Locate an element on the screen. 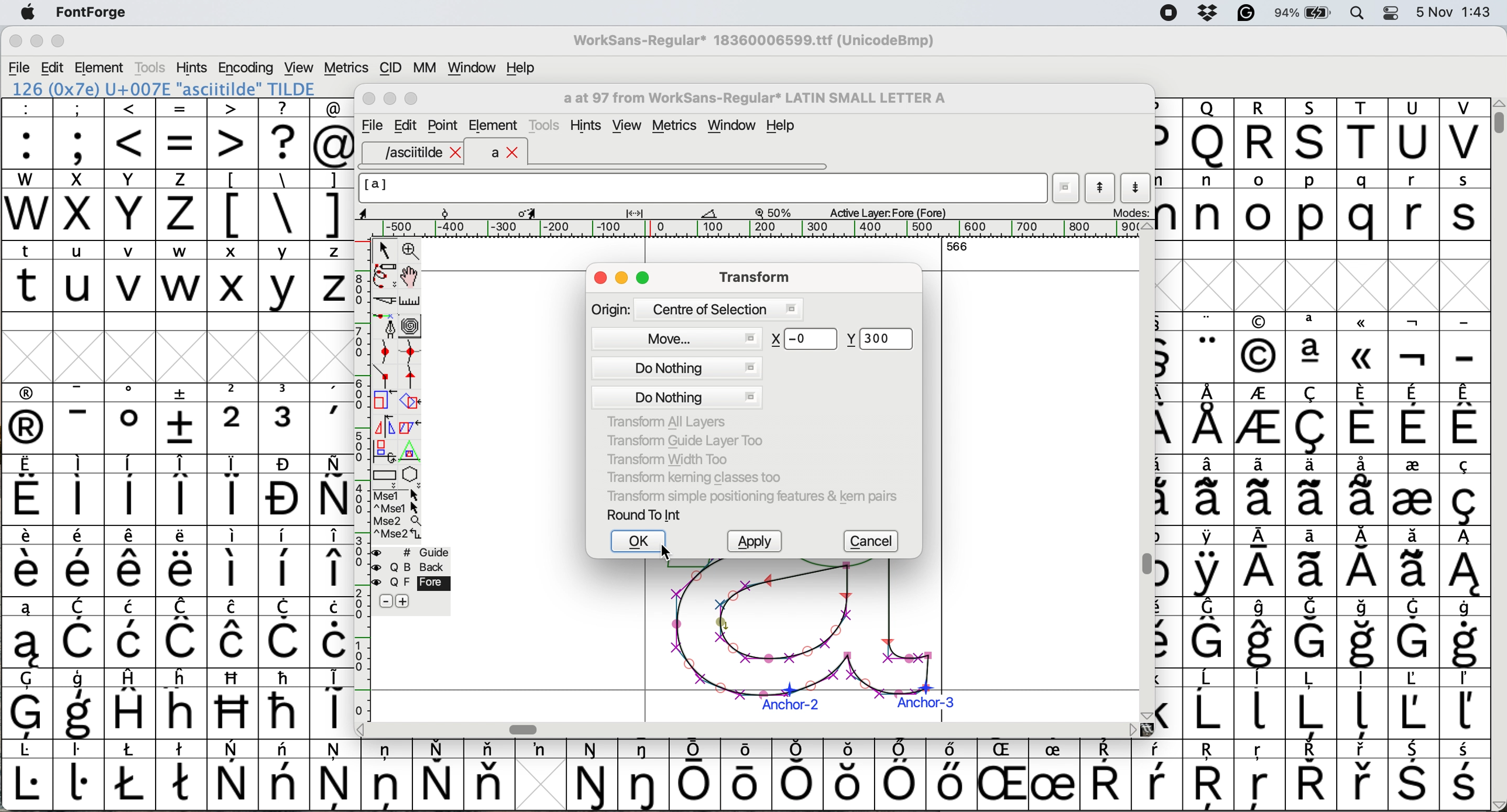  cursor is located at coordinates (669, 553).